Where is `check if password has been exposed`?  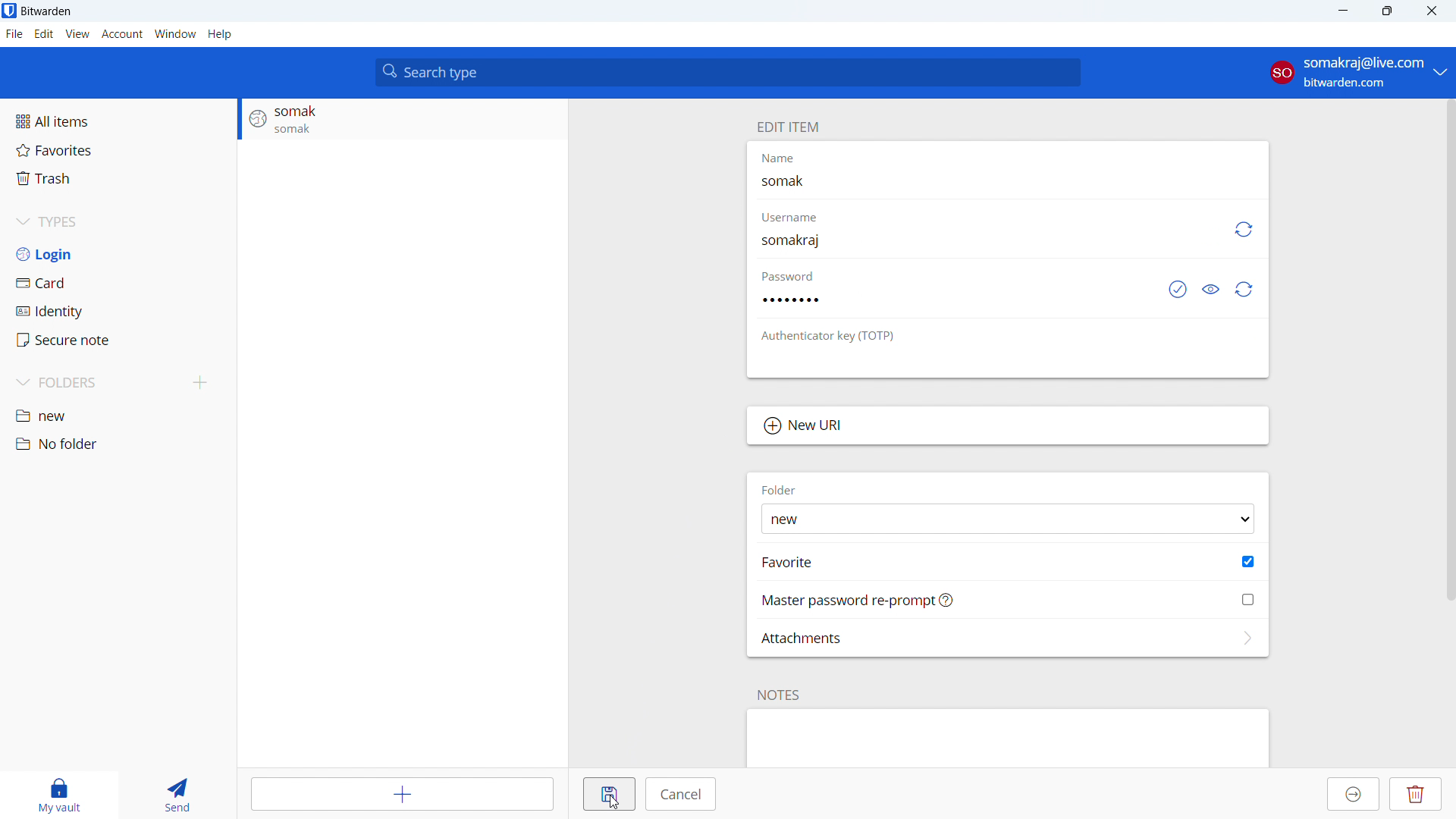 check if password has been exposed is located at coordinates (1178, 288).